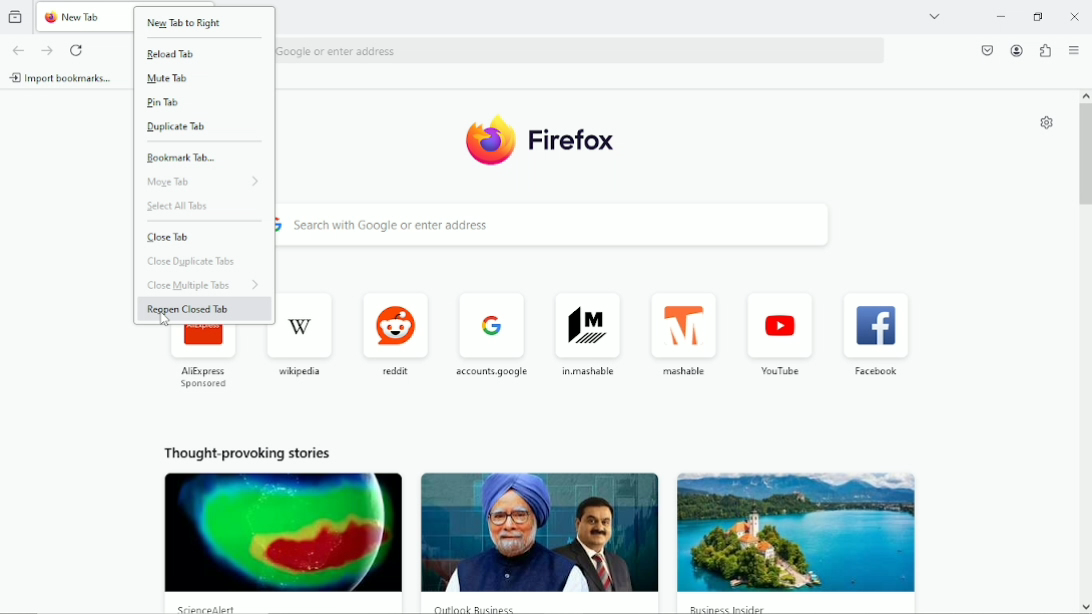 The width and height of the screenshot is (1092, 614). I want to click on duplicate tab, so click(178, 127).